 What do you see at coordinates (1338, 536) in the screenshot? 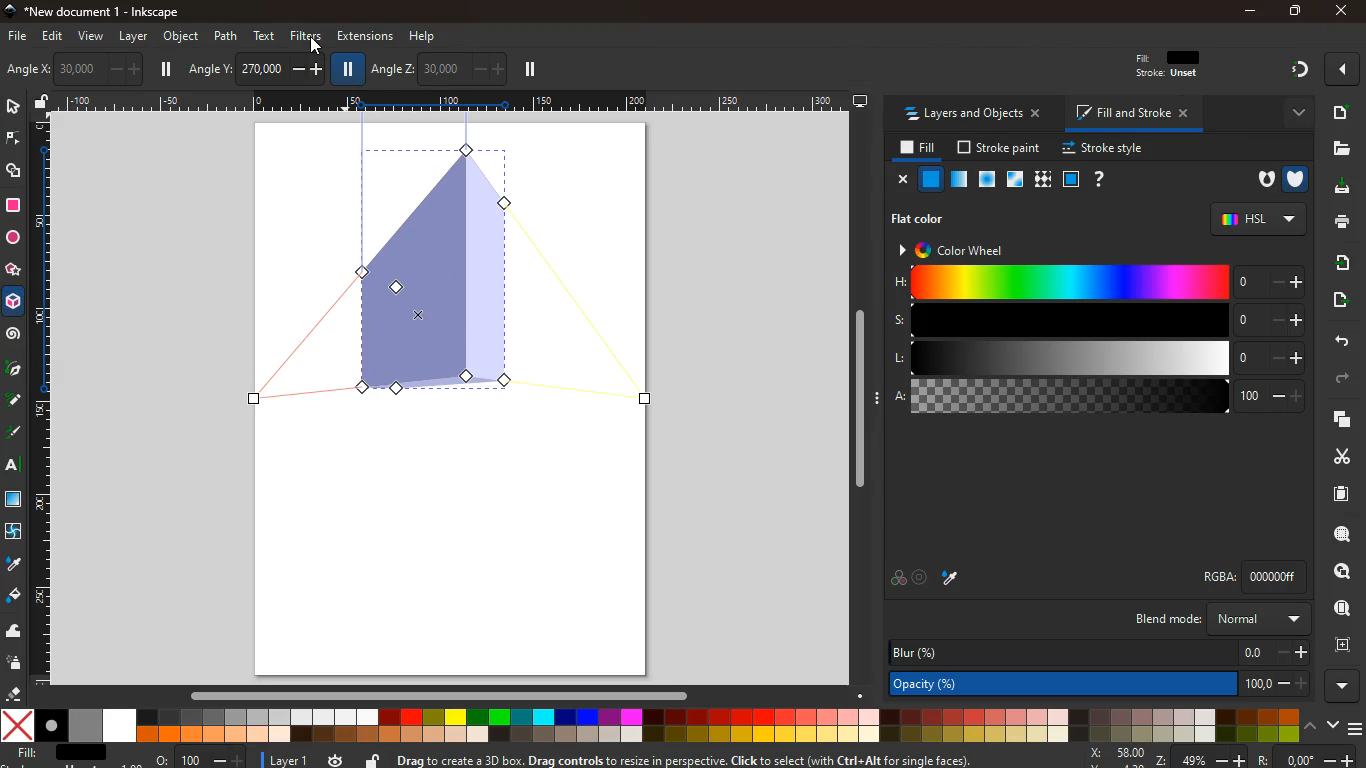
I see `search` at bounding box center [1338, 536].